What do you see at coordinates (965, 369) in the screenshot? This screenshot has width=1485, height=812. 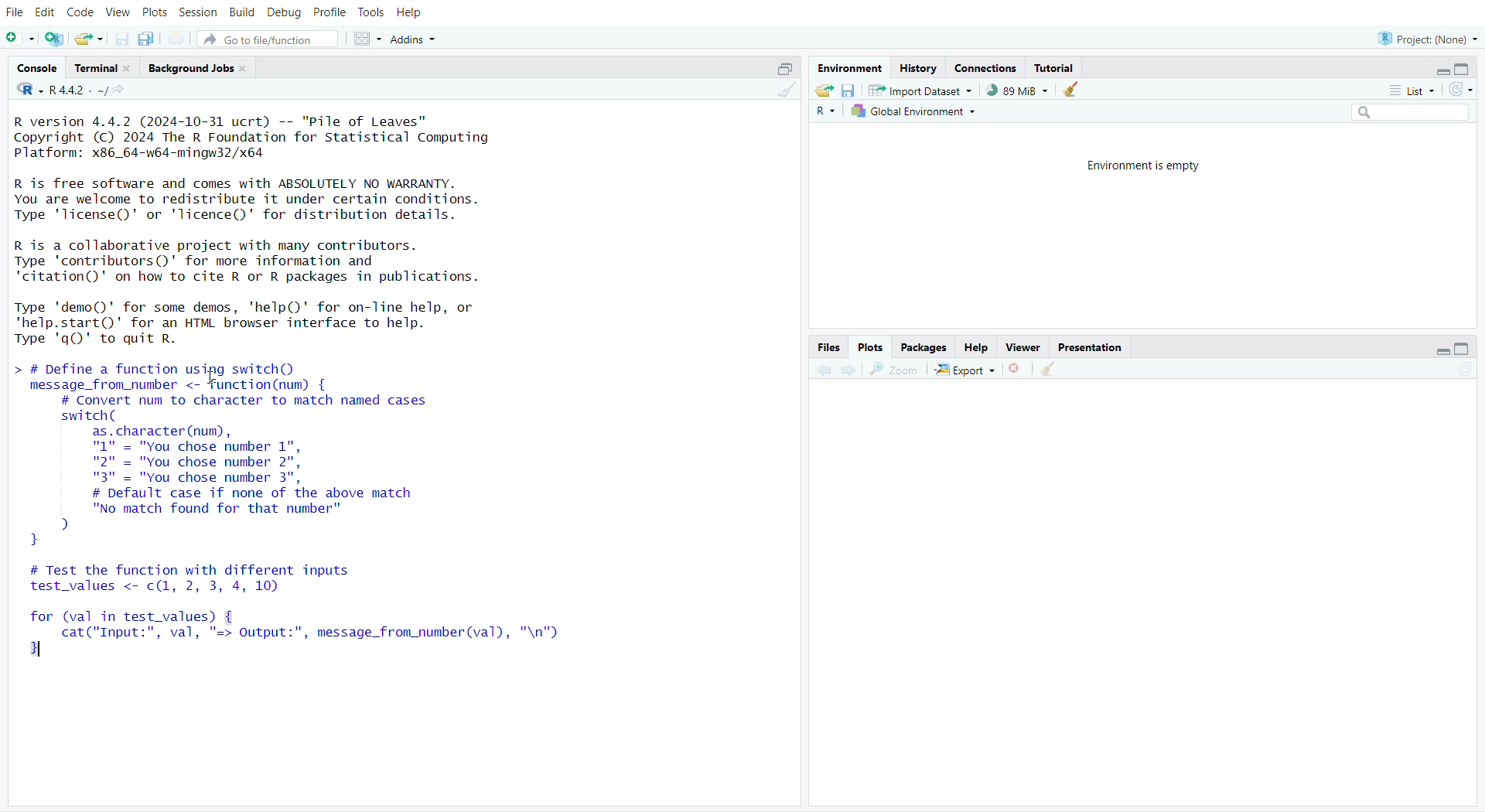 I see `Export` at bounding box center [965, 369].